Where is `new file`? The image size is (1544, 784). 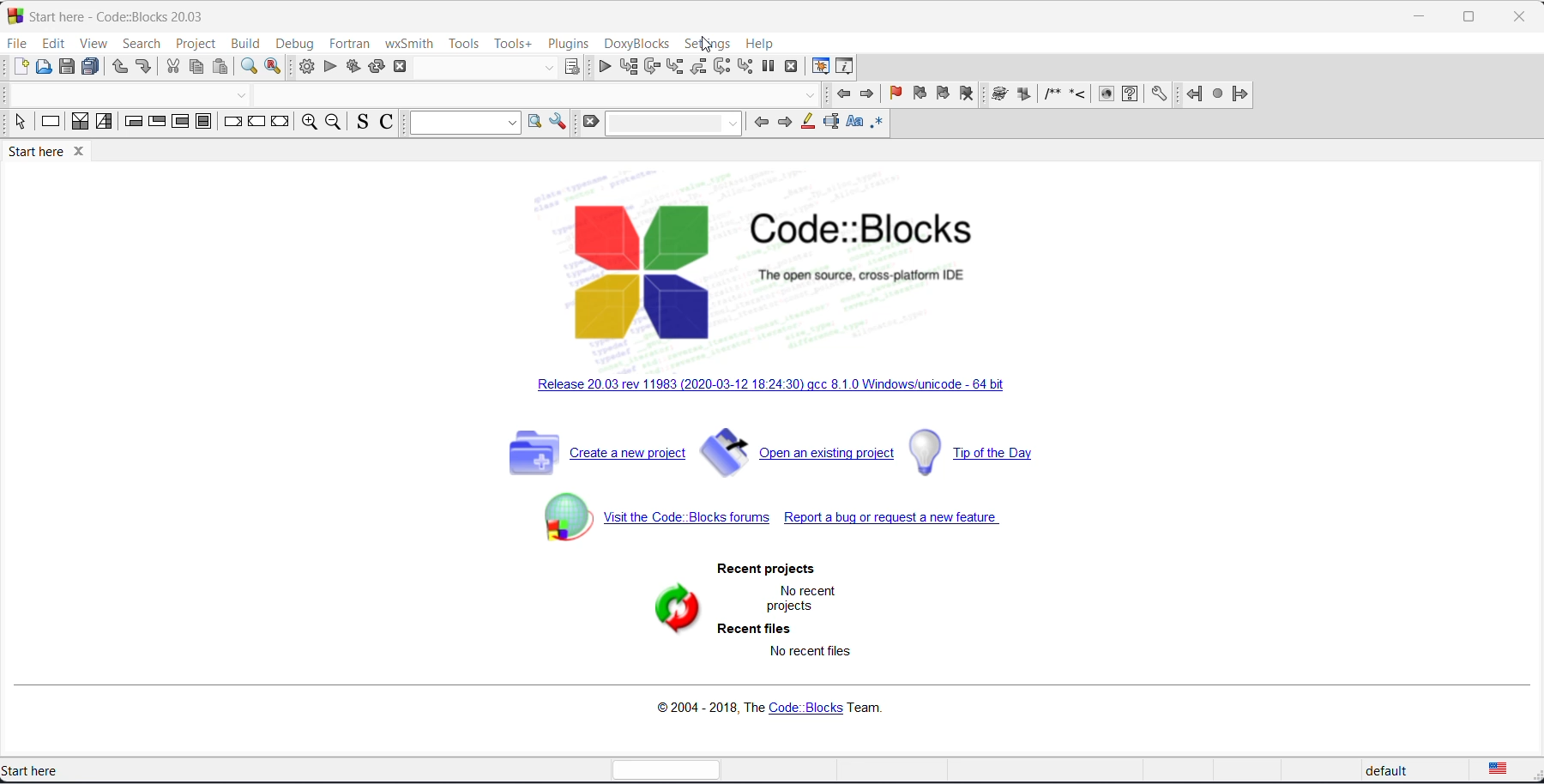 new file is located at coordinates (20, 67).